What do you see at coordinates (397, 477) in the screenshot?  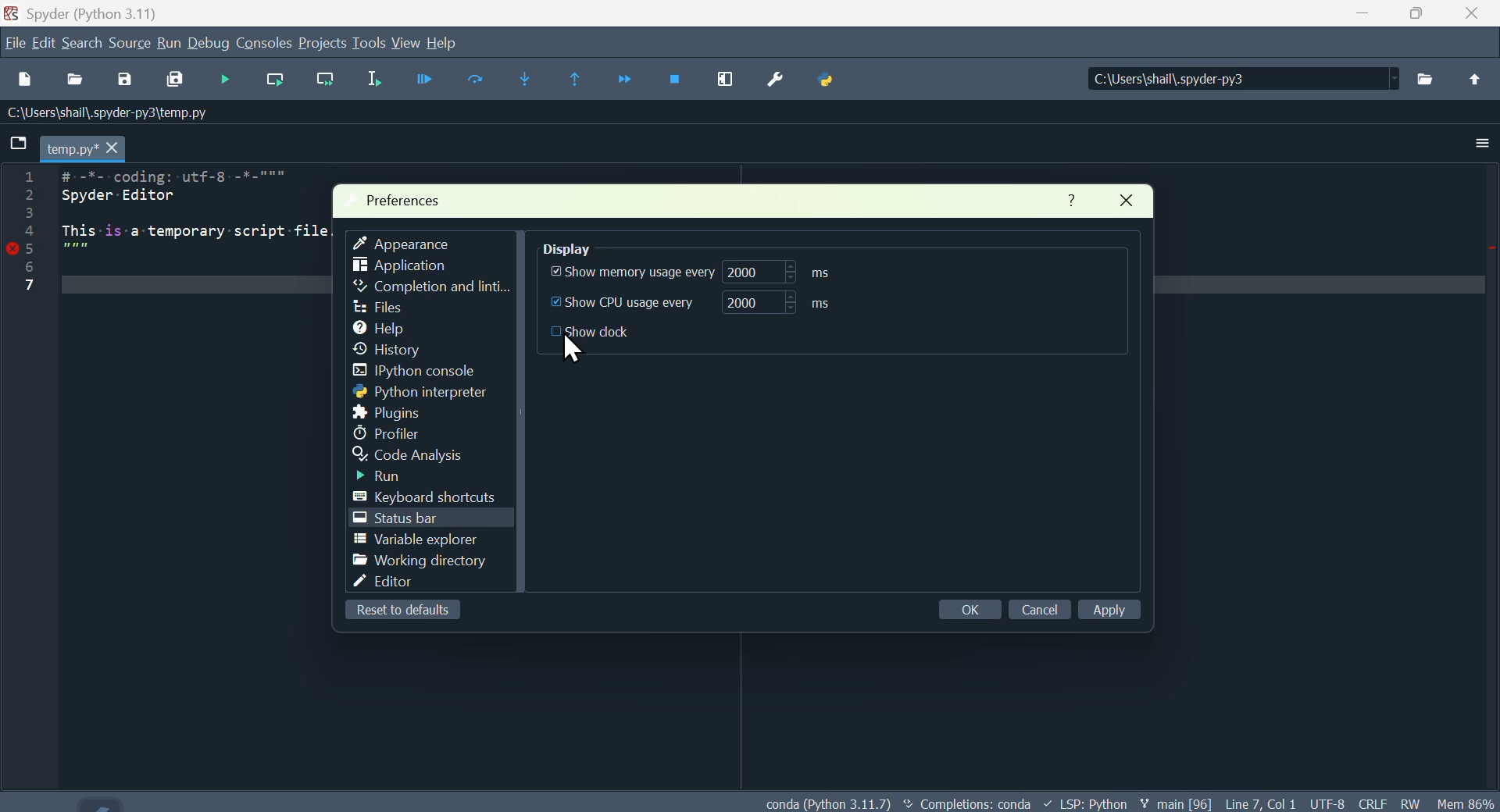 I see `Run` at bounding box center [397, 477].